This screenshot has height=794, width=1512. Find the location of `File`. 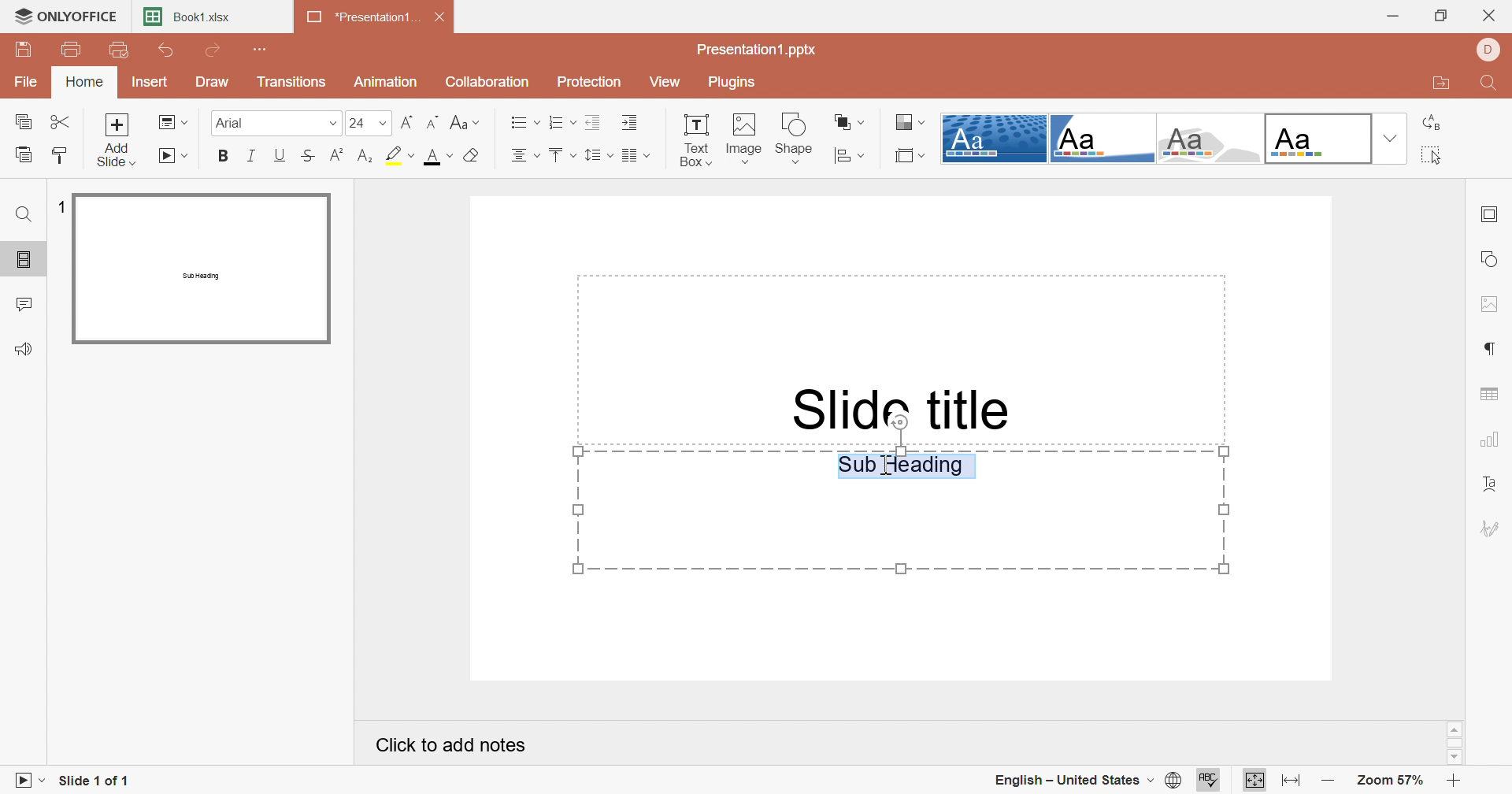

File is located at coordinates (26, 81).